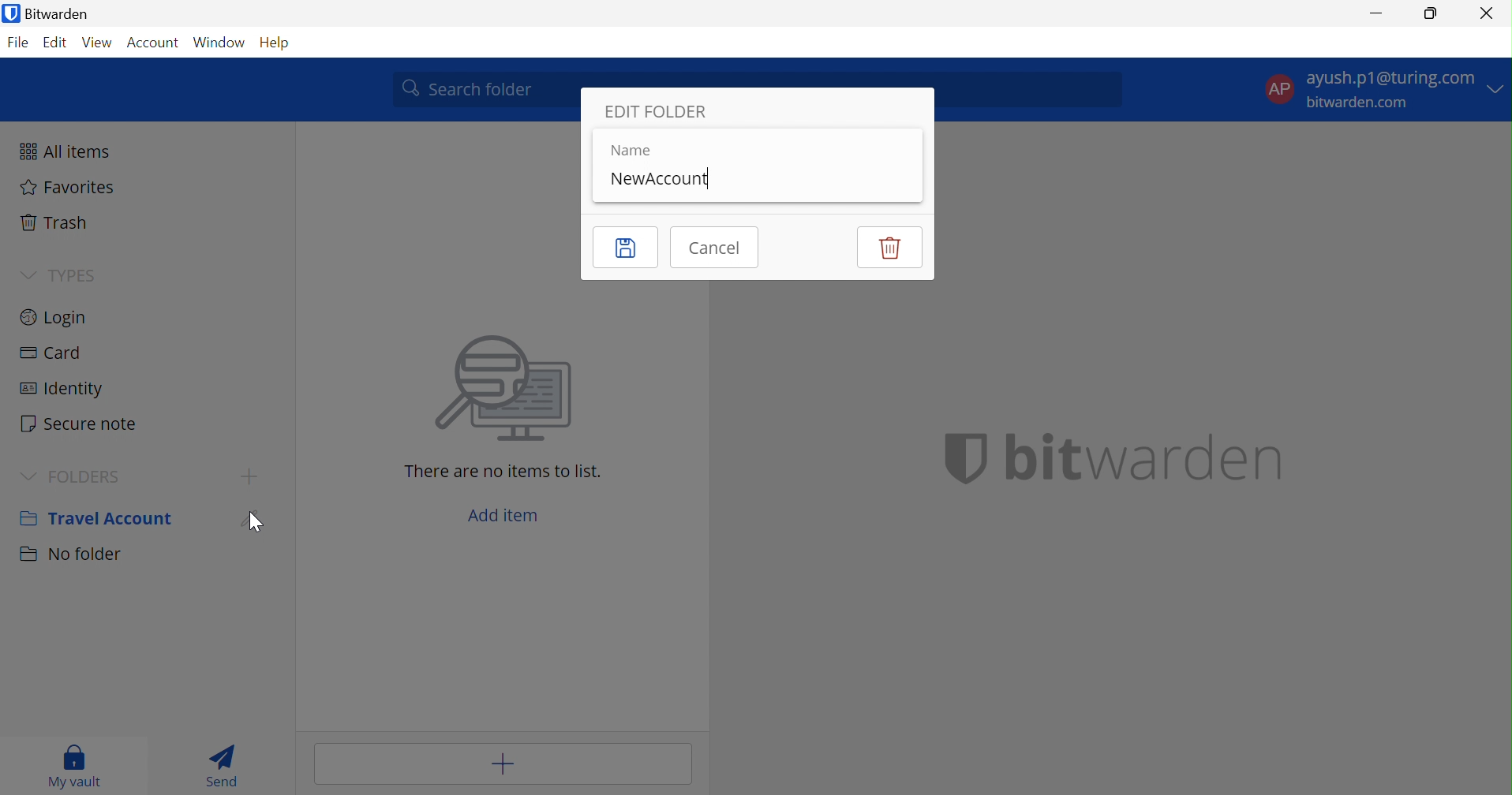 The height and width of the screenshot is (795, 1512). What do you see at coordinates (94, 476) in the screenshot?
I see `FOLDERS` at bounding box center [94, 476].